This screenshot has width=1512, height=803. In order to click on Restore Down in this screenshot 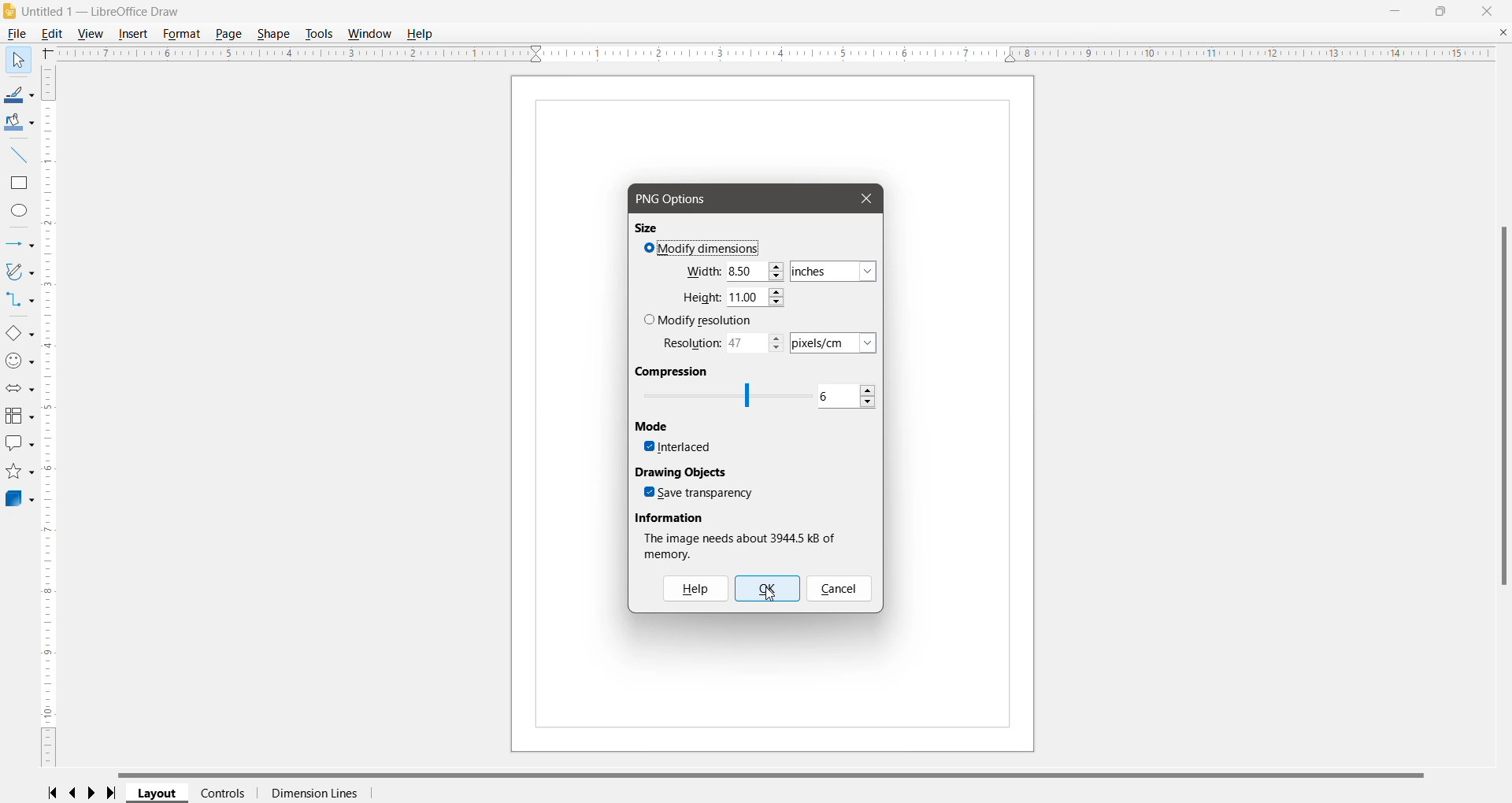, I will do `click(1440, 9)`.